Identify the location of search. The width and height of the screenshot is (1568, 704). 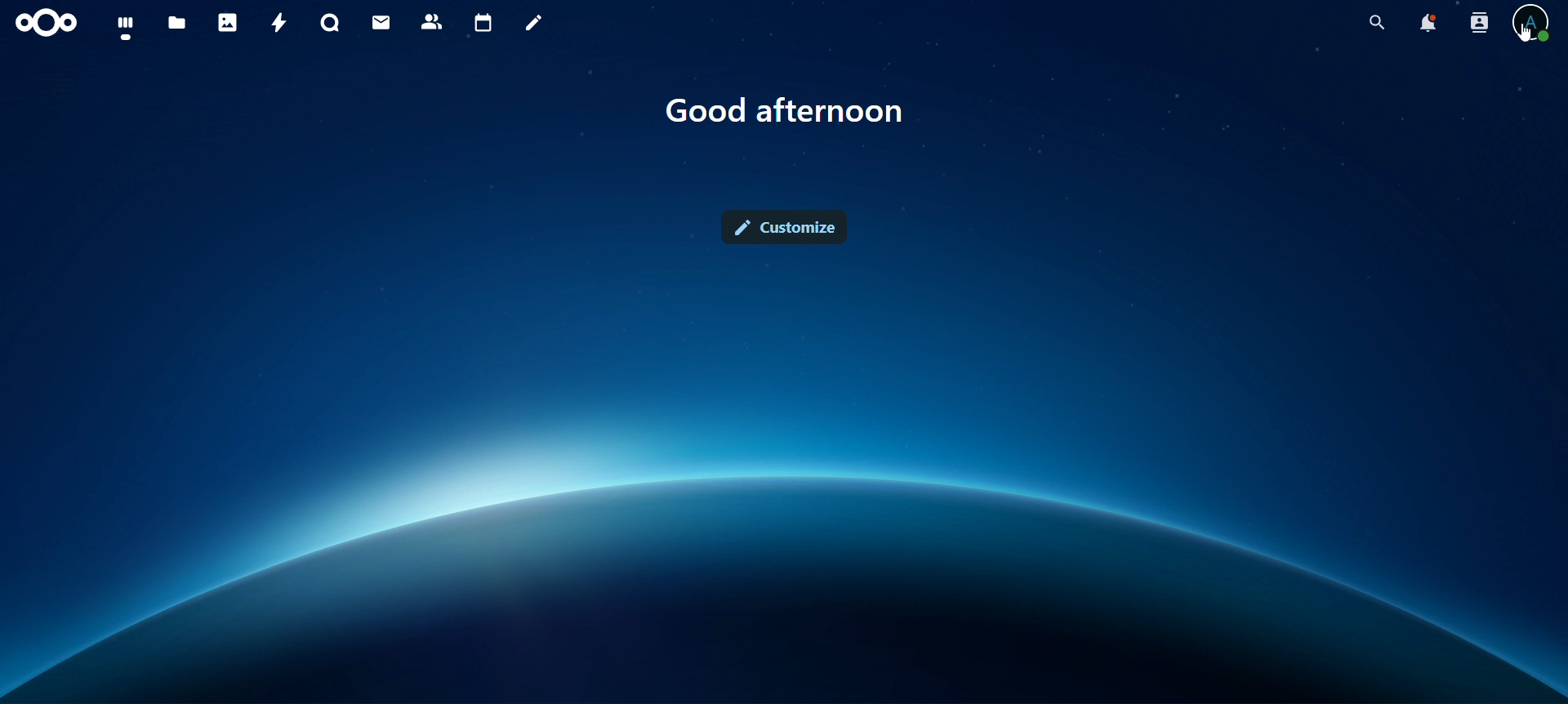
(1379, 23).